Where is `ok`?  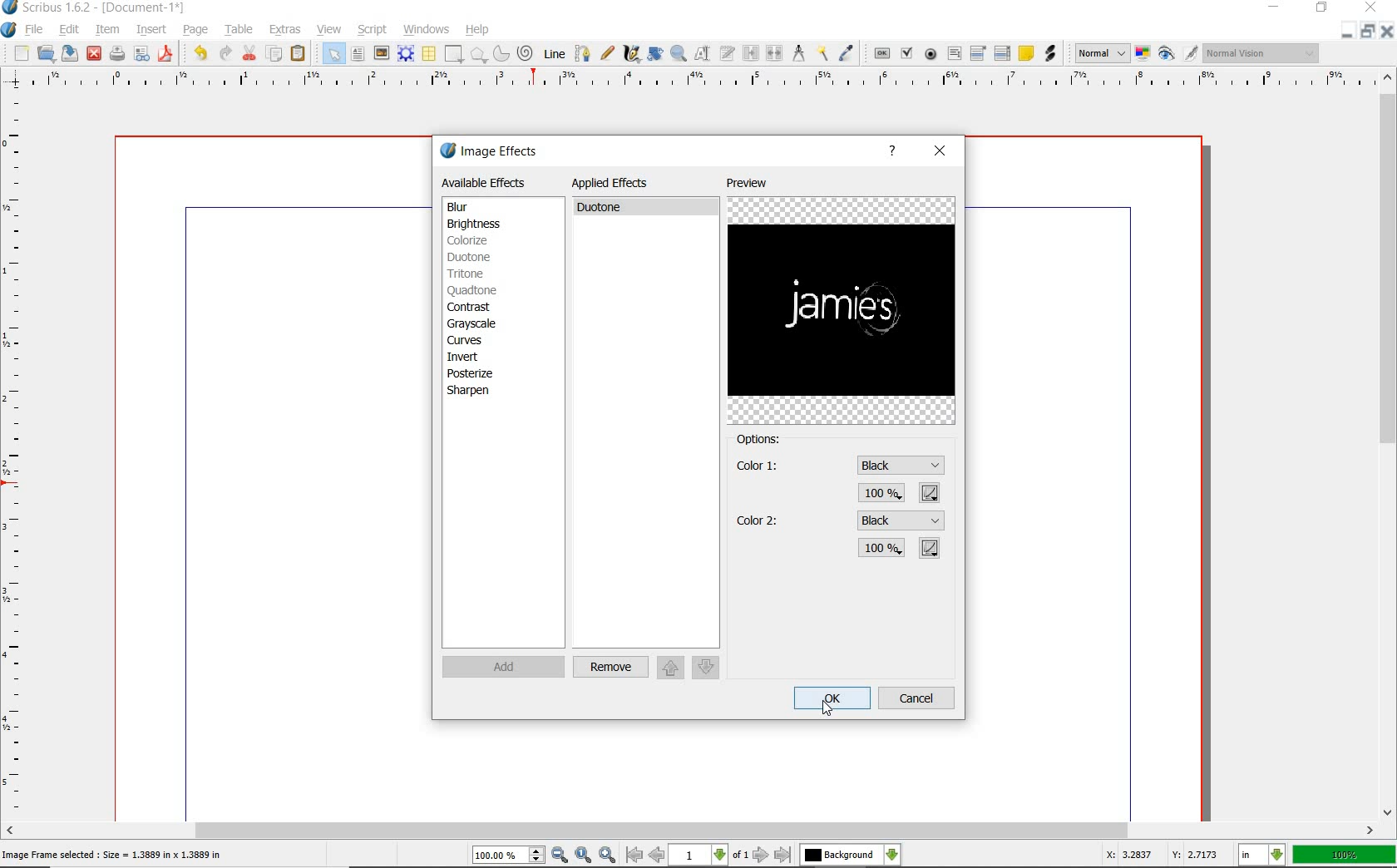
ok is located at coordinates (832, 696).